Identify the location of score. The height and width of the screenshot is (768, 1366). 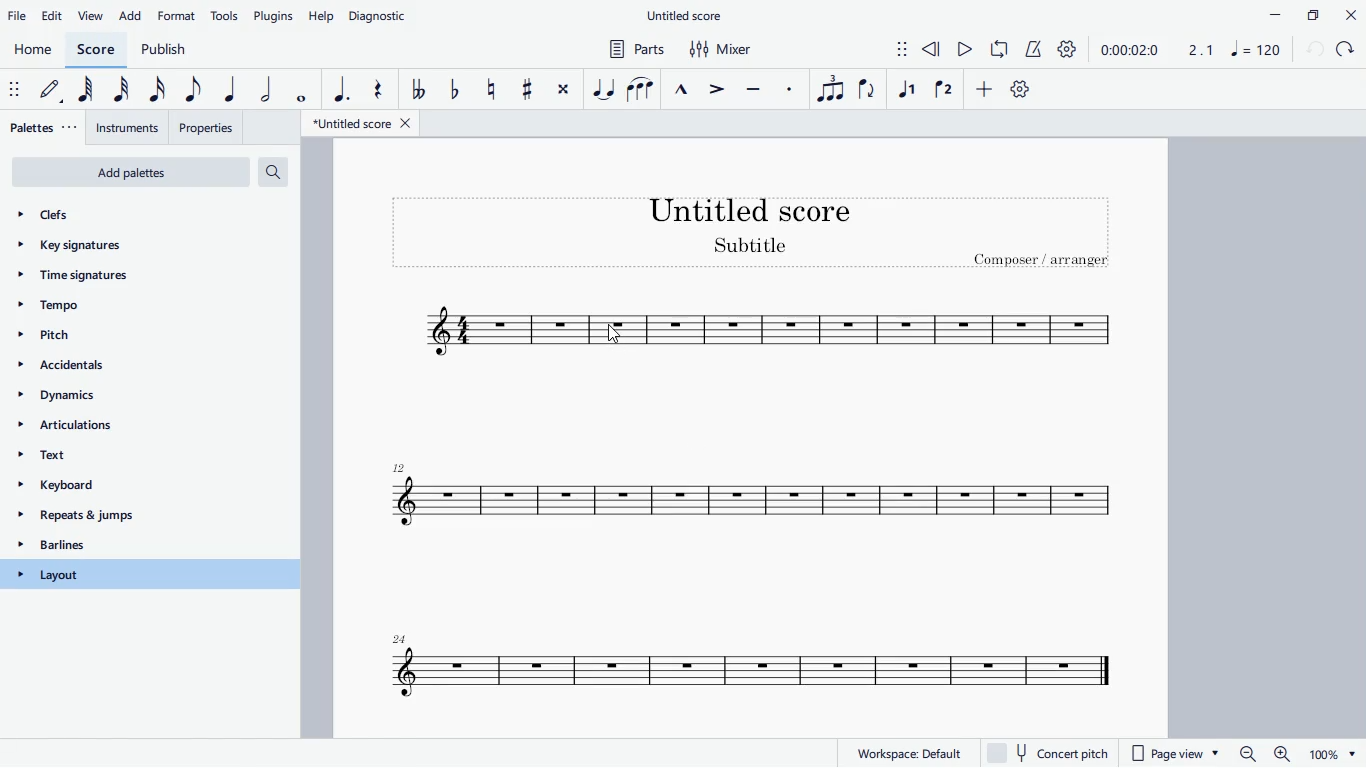
(99, 49).